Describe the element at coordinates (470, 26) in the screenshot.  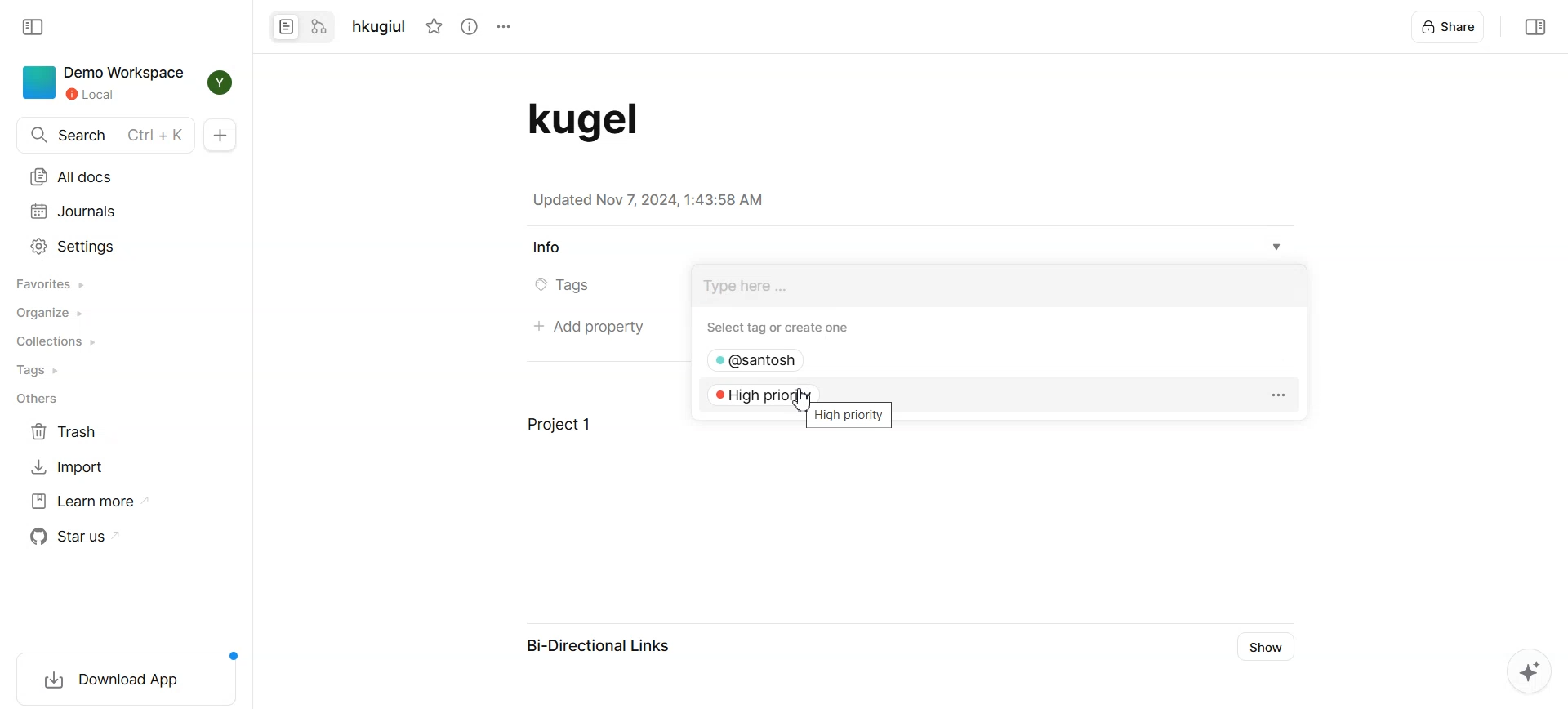
I see `View Info` at that location.